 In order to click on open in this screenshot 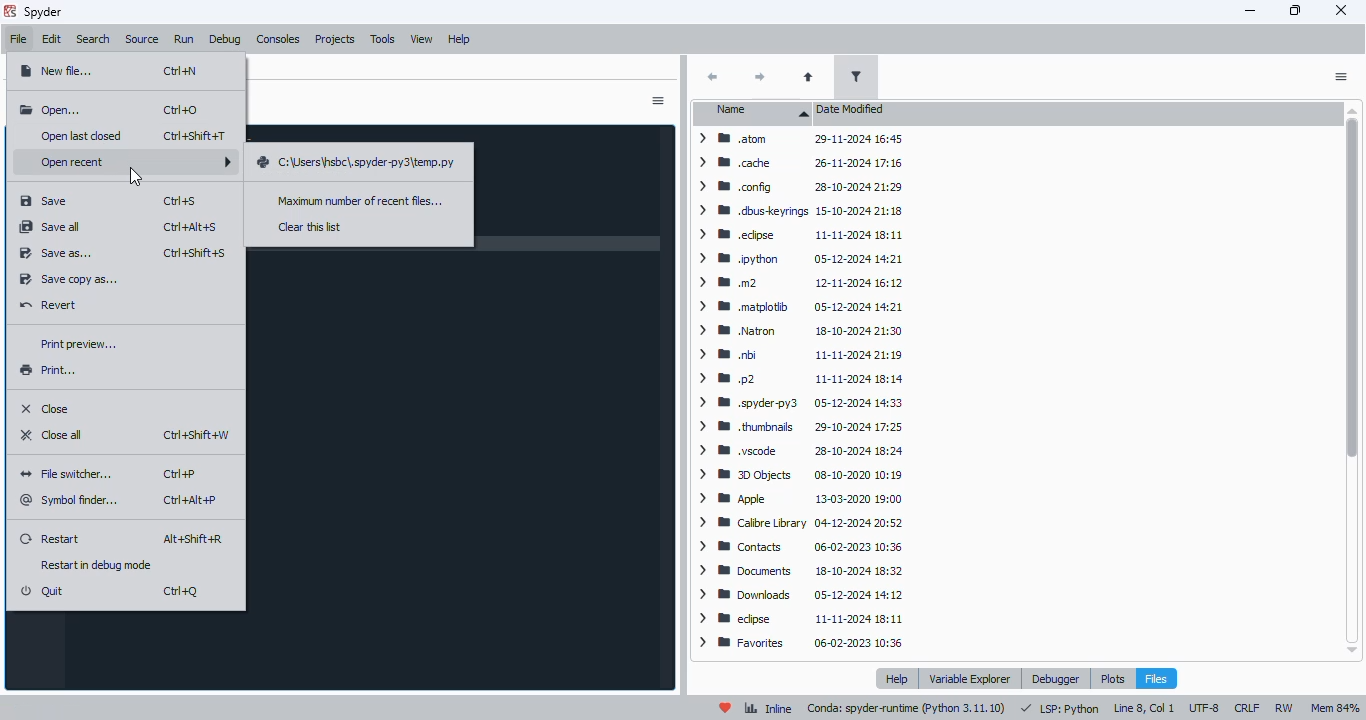, I will do `click(51, 111)`.